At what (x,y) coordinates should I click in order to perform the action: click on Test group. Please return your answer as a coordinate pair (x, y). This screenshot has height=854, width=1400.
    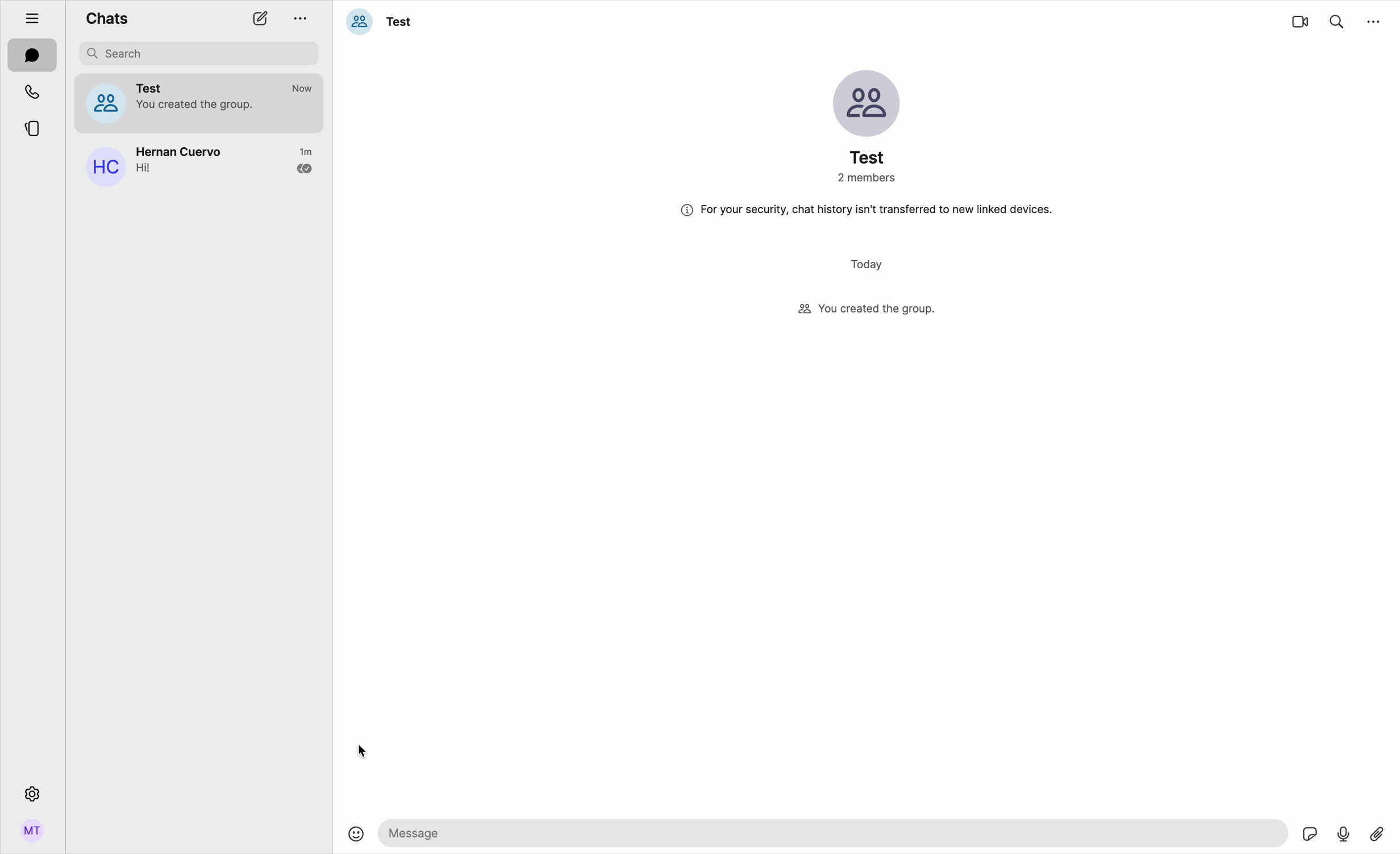
    Looking at the image, I should click on (199, 102).